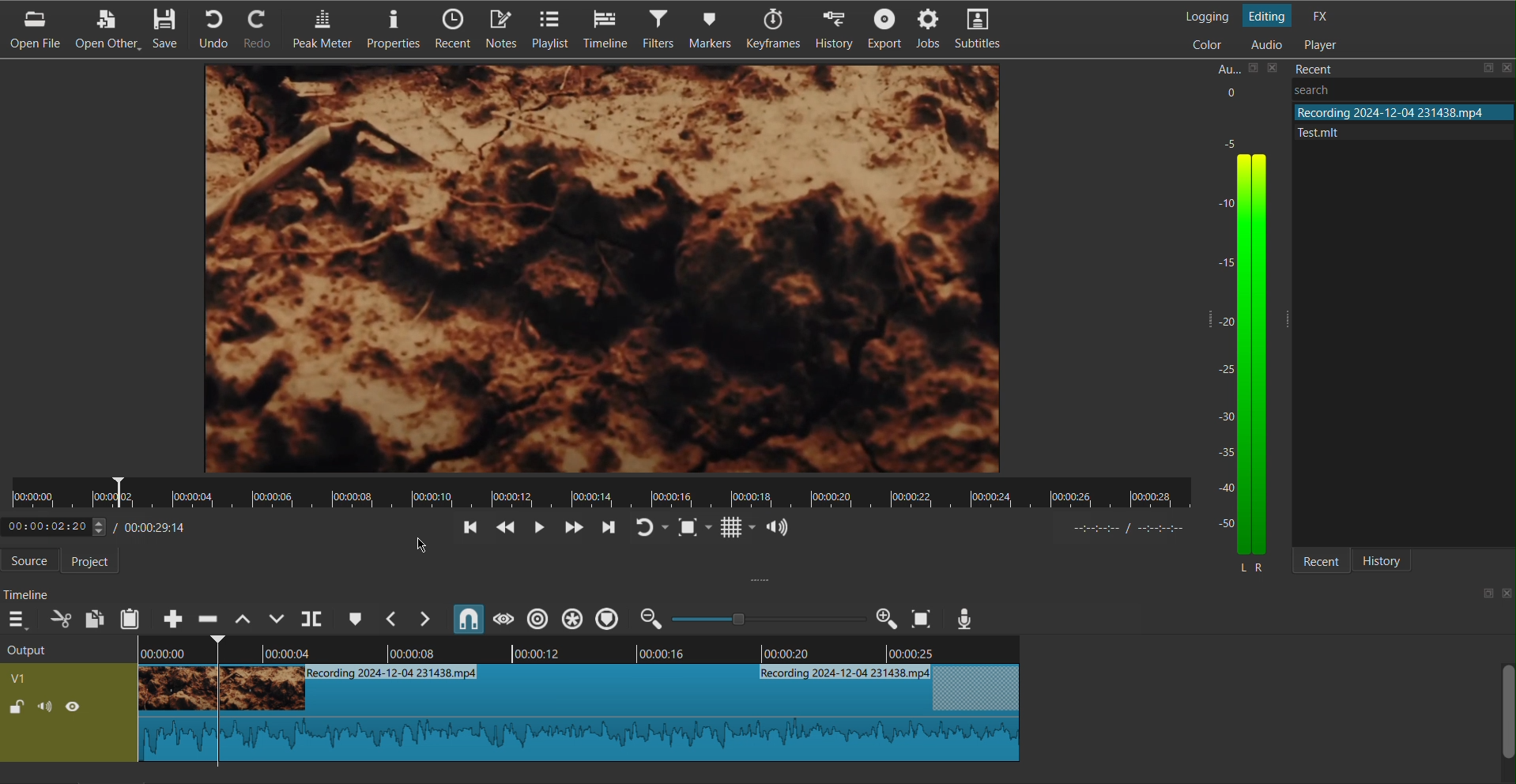 The width and height of the screenshot is (1516, 784). I want to click on Split at Playhead, so click(312, 618).